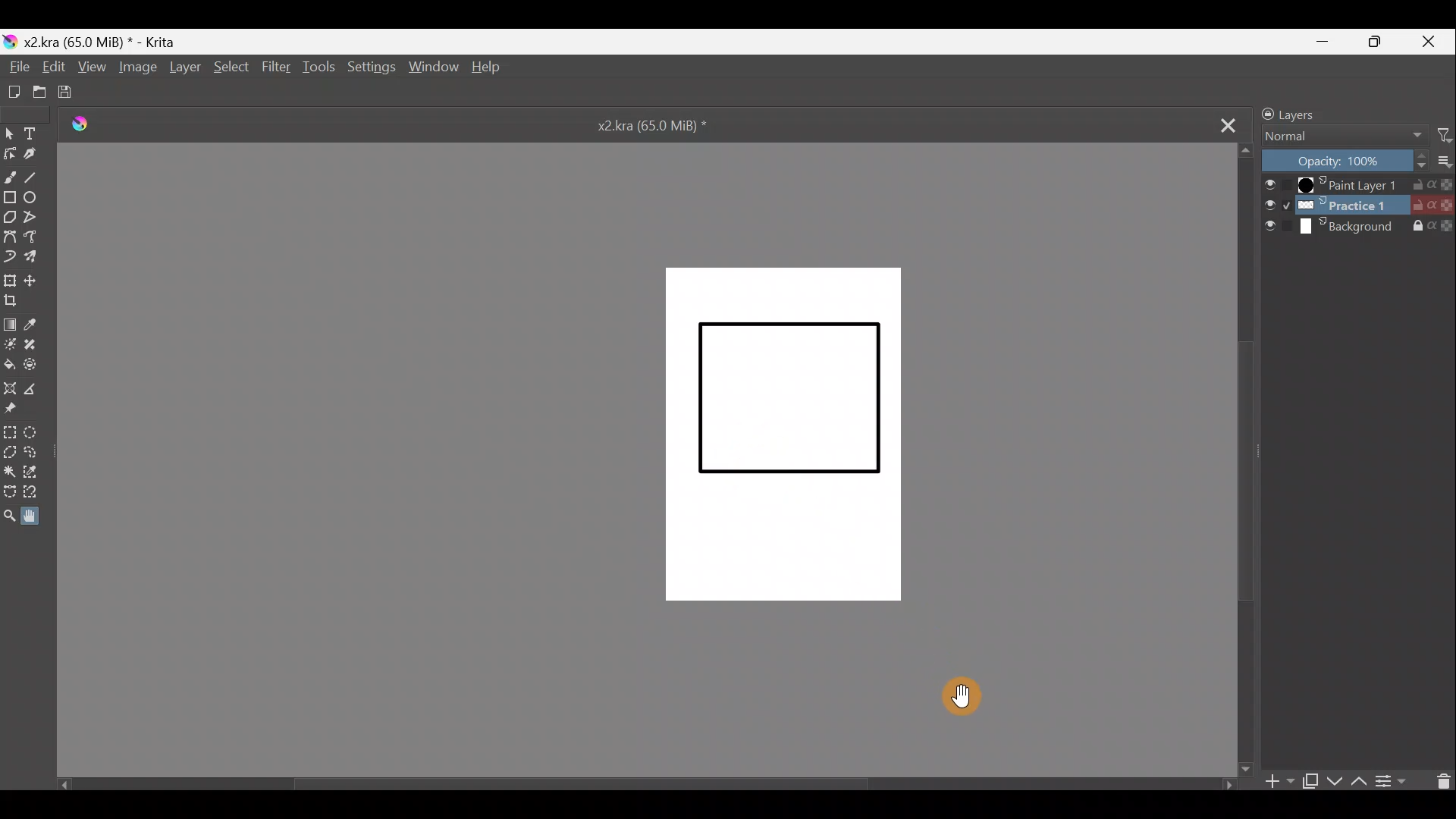 This screenshot has height=819, width=1456. I want to click on Line tool, so click(38, 174).